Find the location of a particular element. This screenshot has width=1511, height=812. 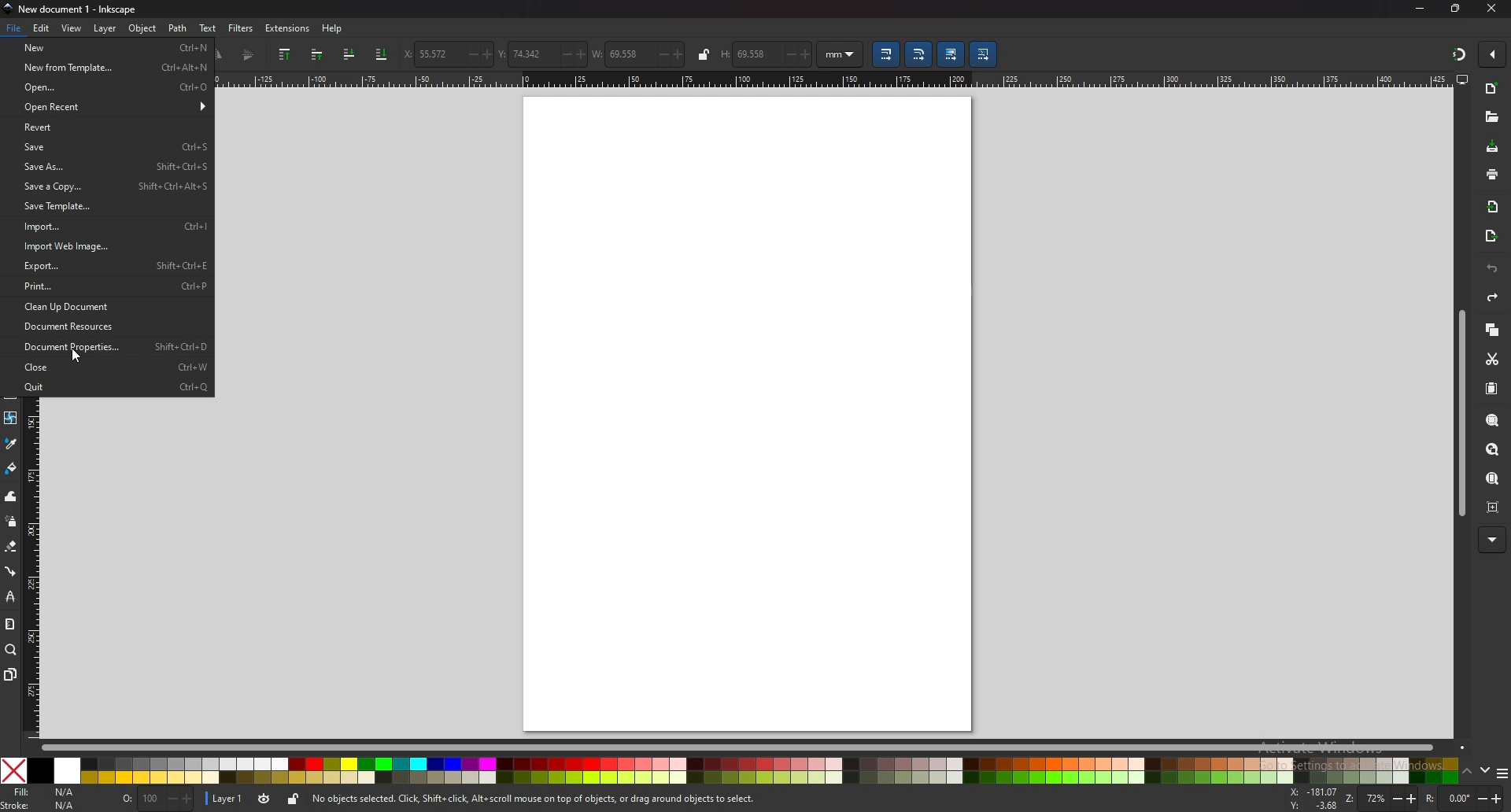

+ is located at coordinates (1410, 799).